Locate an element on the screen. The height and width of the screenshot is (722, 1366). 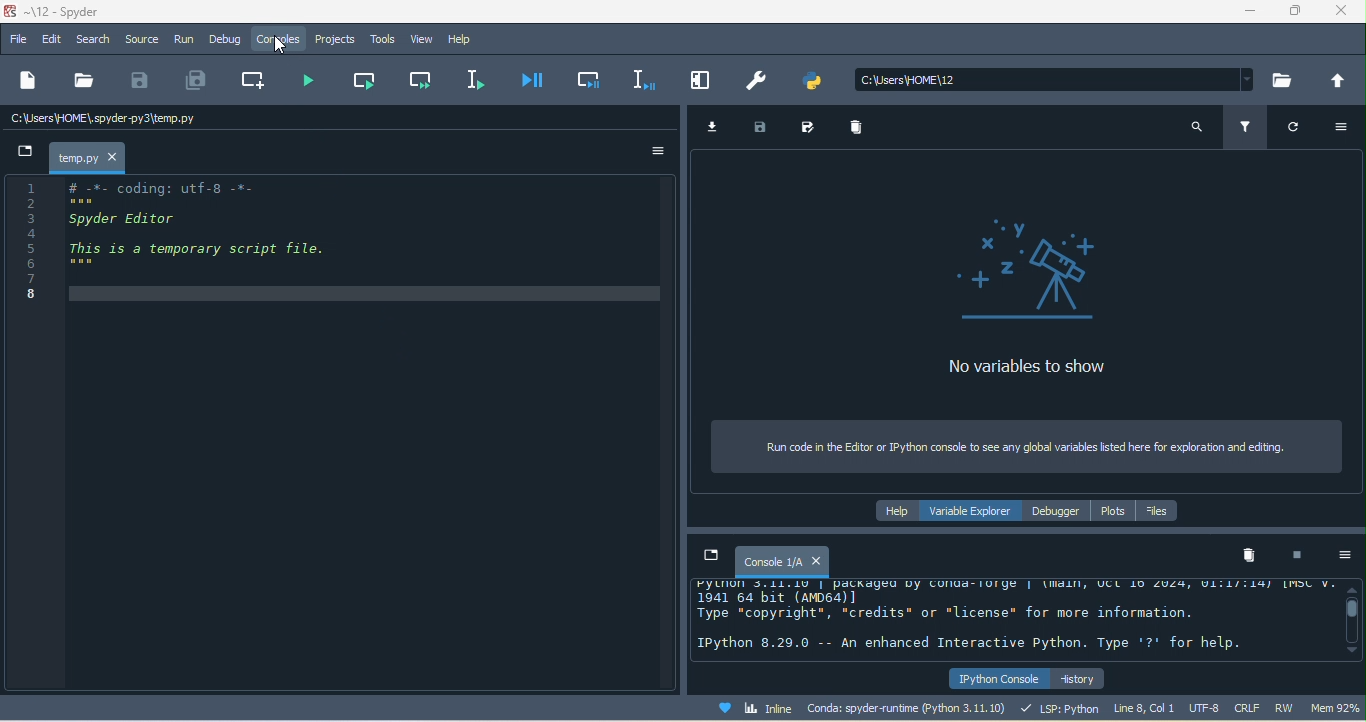
refresh is located at coordinates (1301, 132).